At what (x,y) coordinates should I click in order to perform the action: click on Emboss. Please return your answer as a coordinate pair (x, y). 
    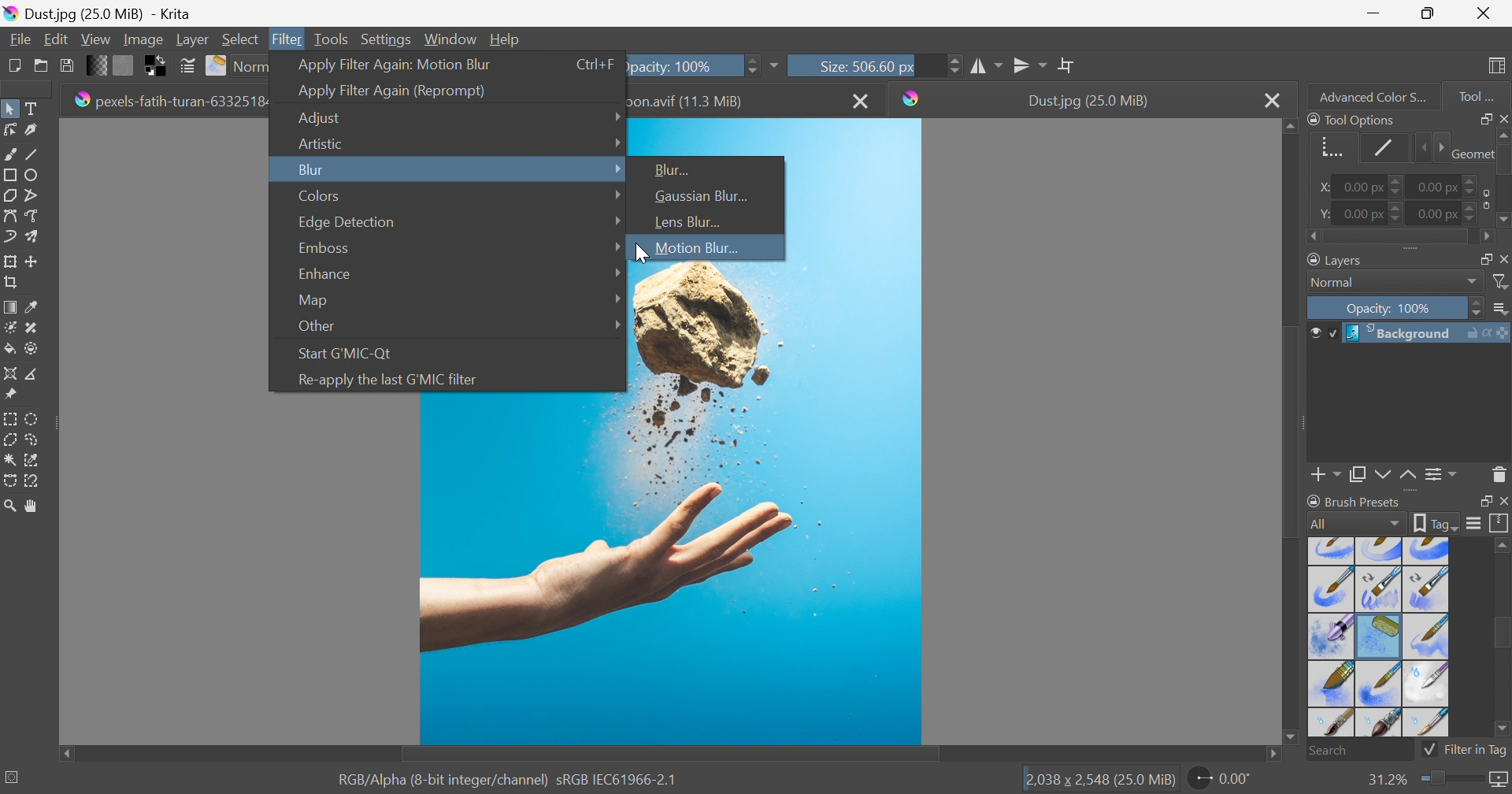
    Looking at the image, I should click on (322, 247).